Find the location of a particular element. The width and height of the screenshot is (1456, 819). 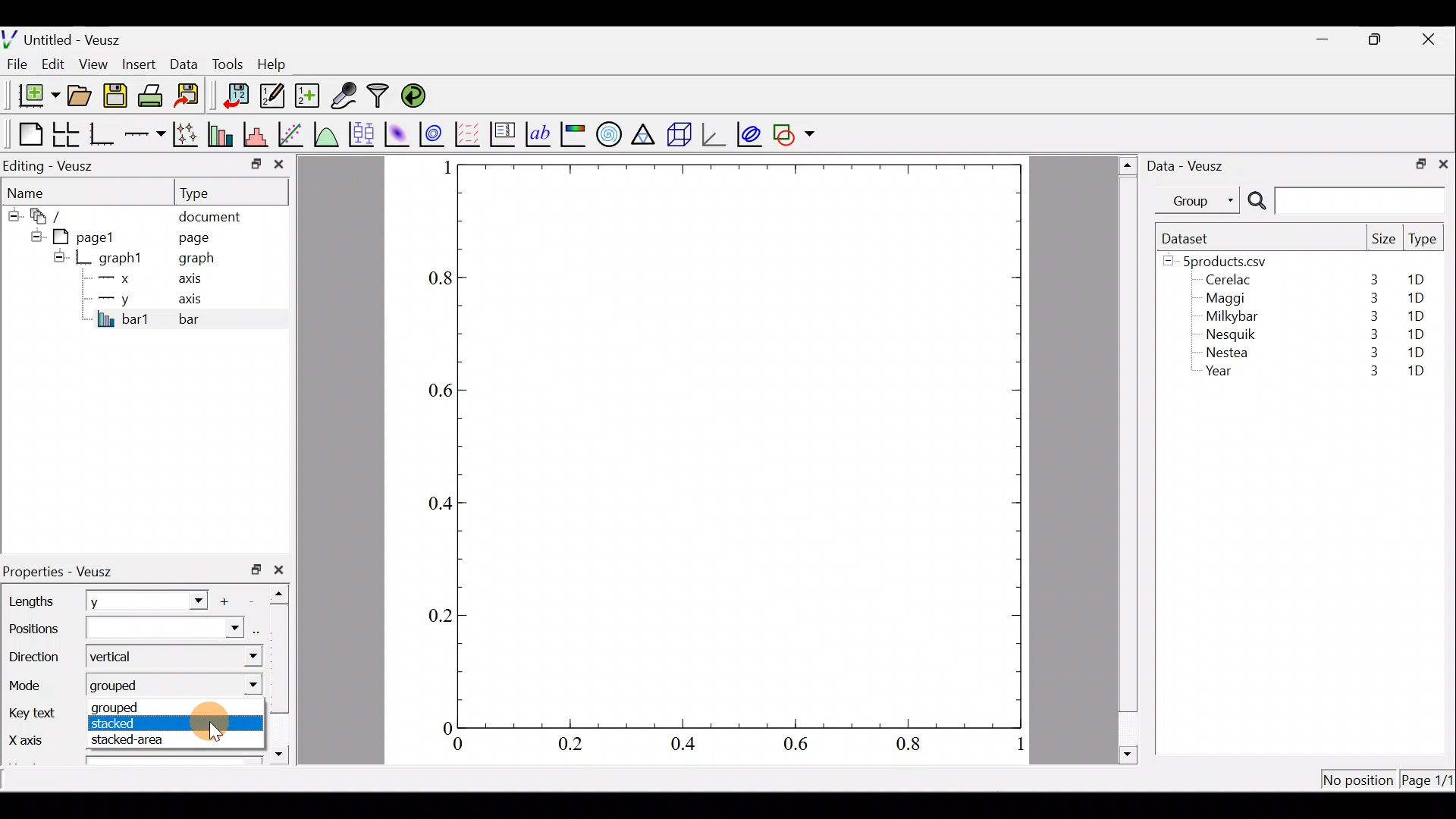

04 is located at coordinates (434, 506).